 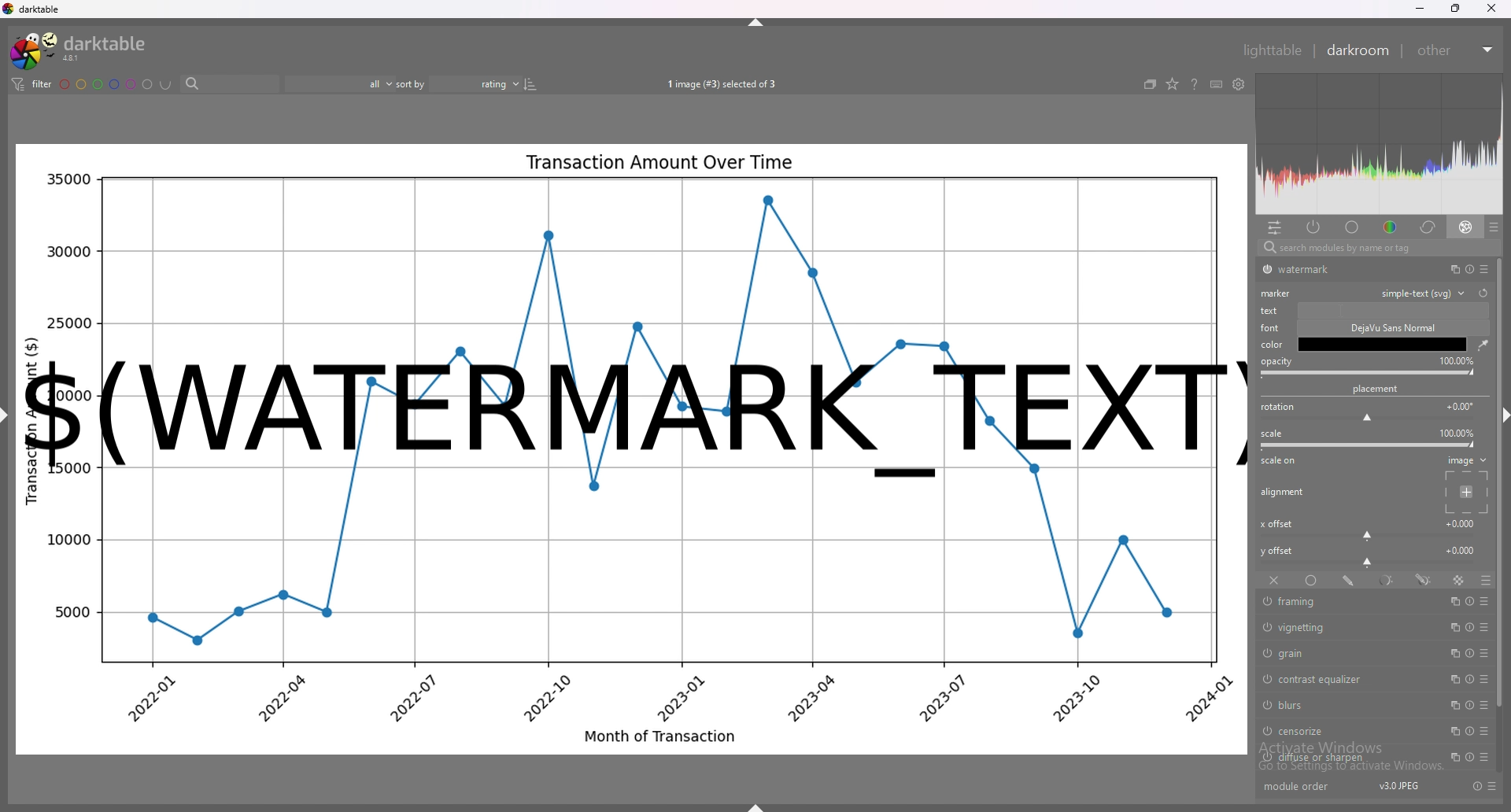 What do you see at coordinates (1454, 654) in the screenshot?
I see `multiple instances action` at bounding box center [1454, 654].